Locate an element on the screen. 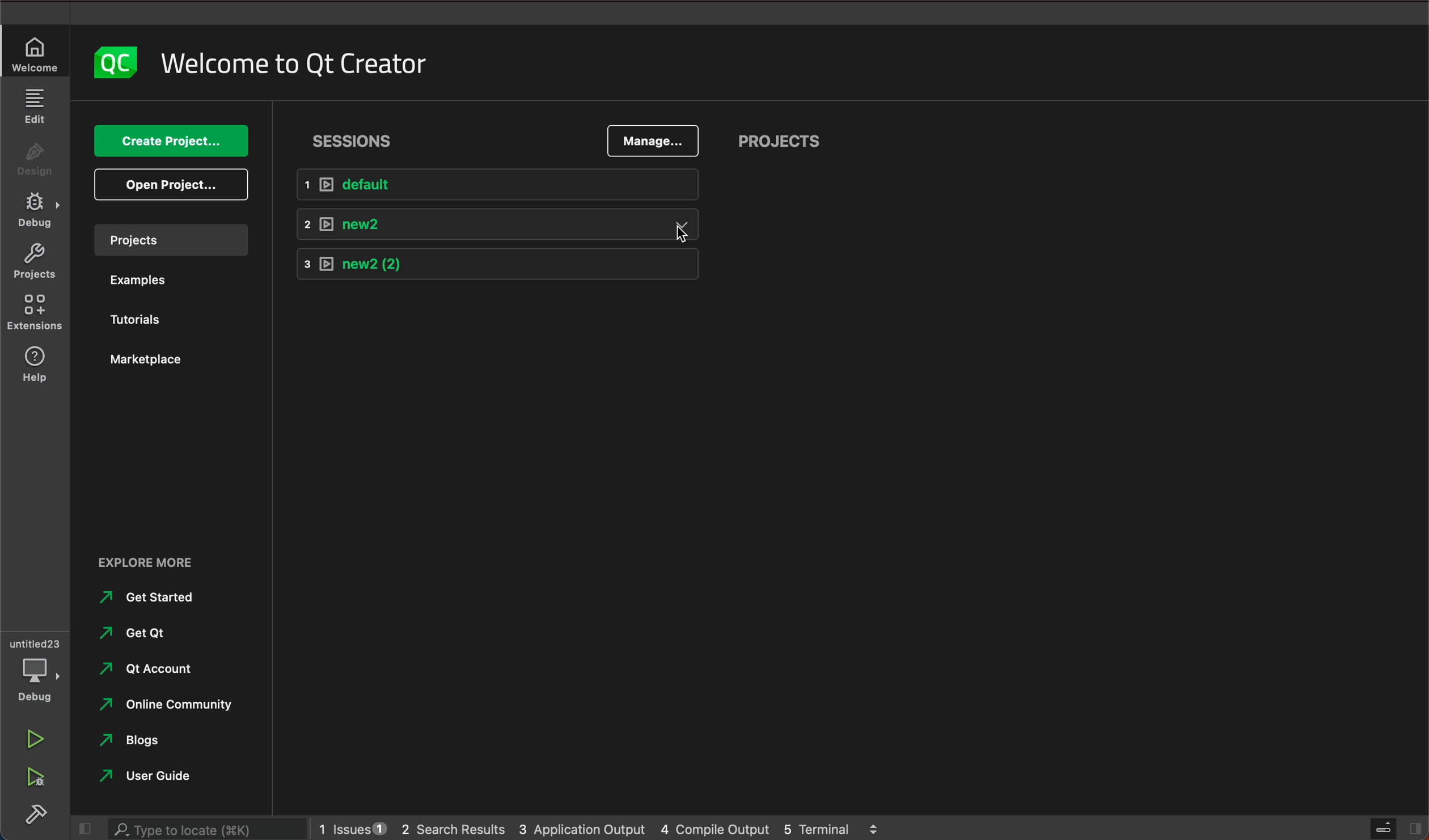  projects is located at coordinates (781, 143).